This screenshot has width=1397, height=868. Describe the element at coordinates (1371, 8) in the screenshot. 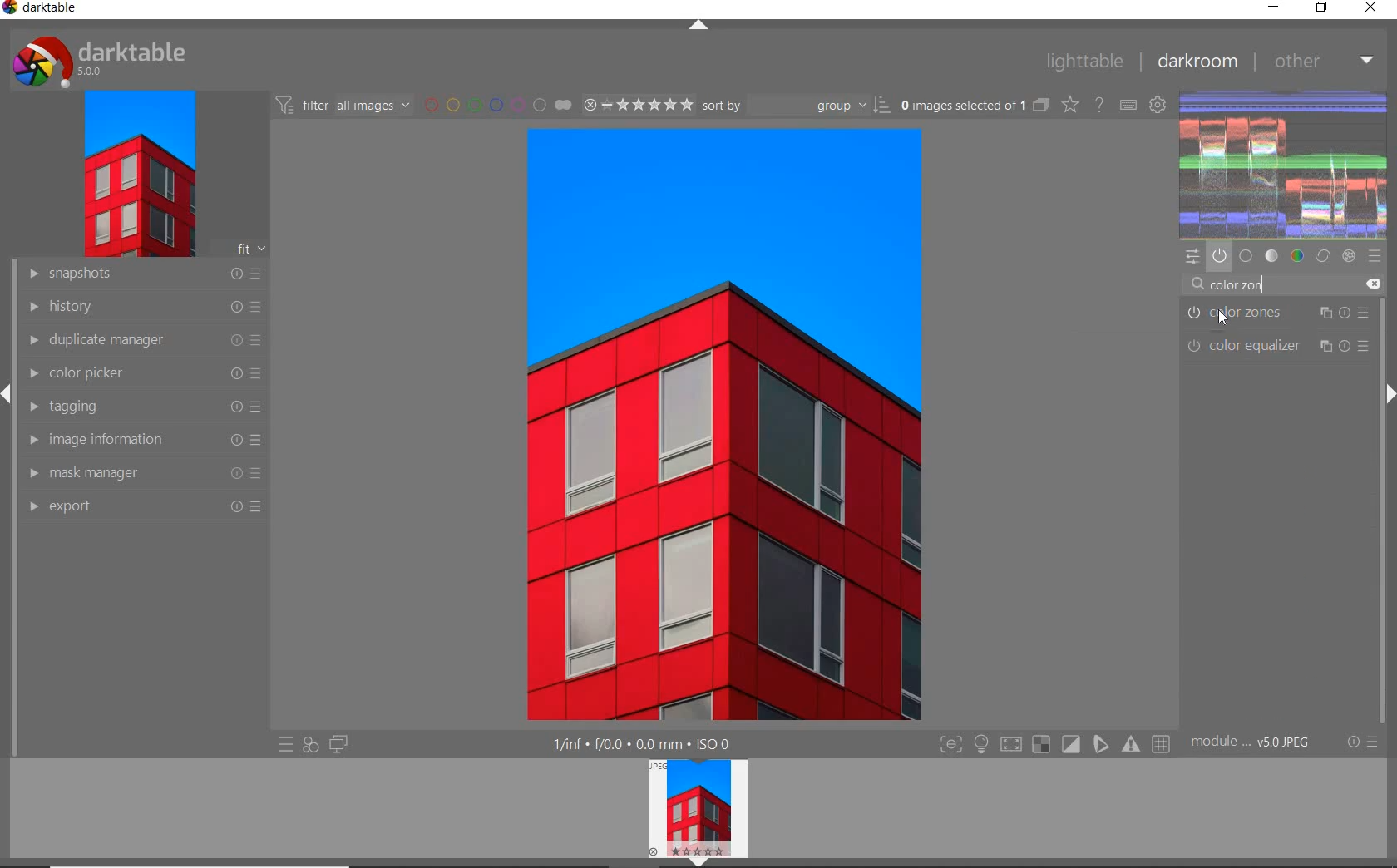

I see `close` at that location.